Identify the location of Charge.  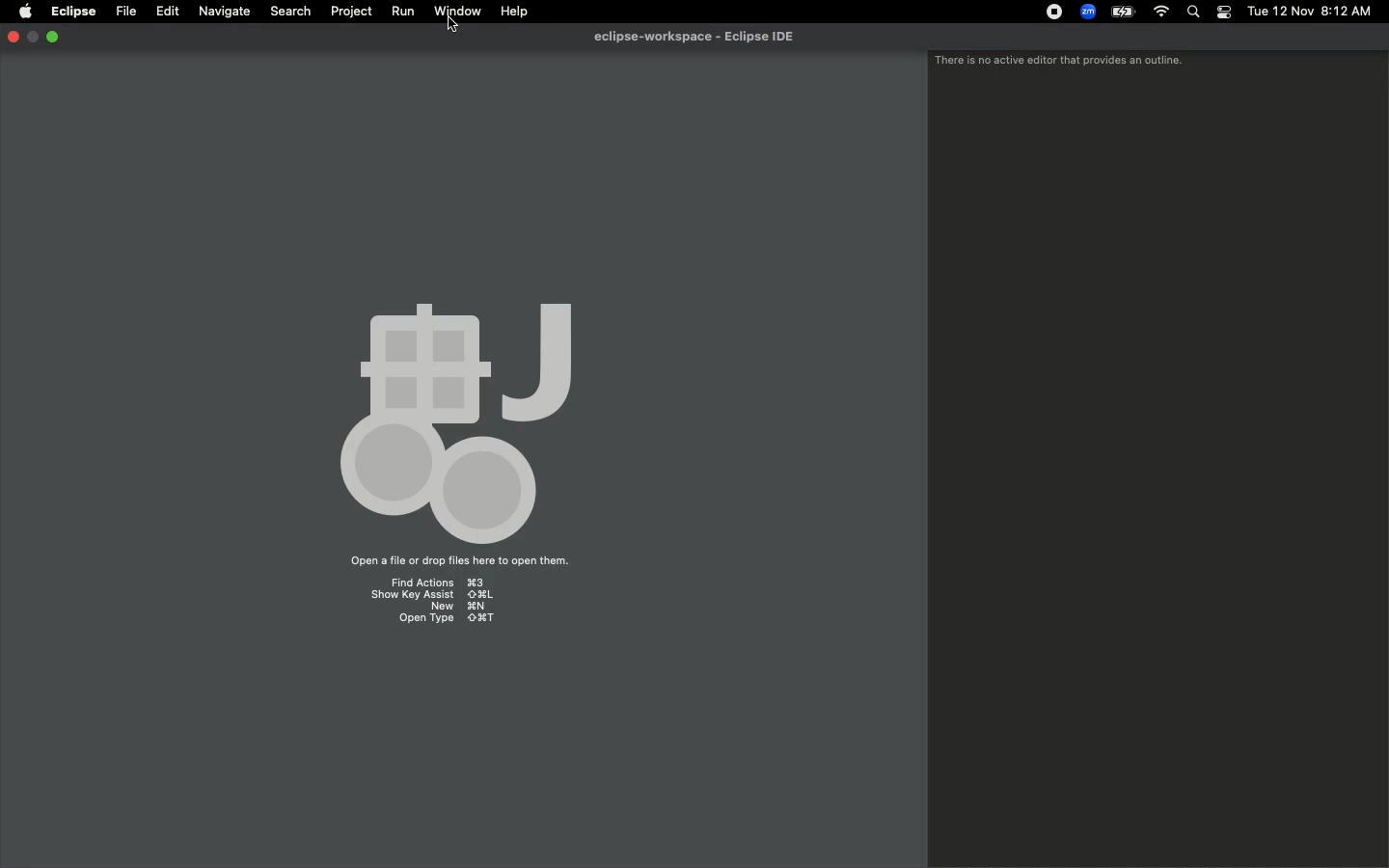
(1119, 14).